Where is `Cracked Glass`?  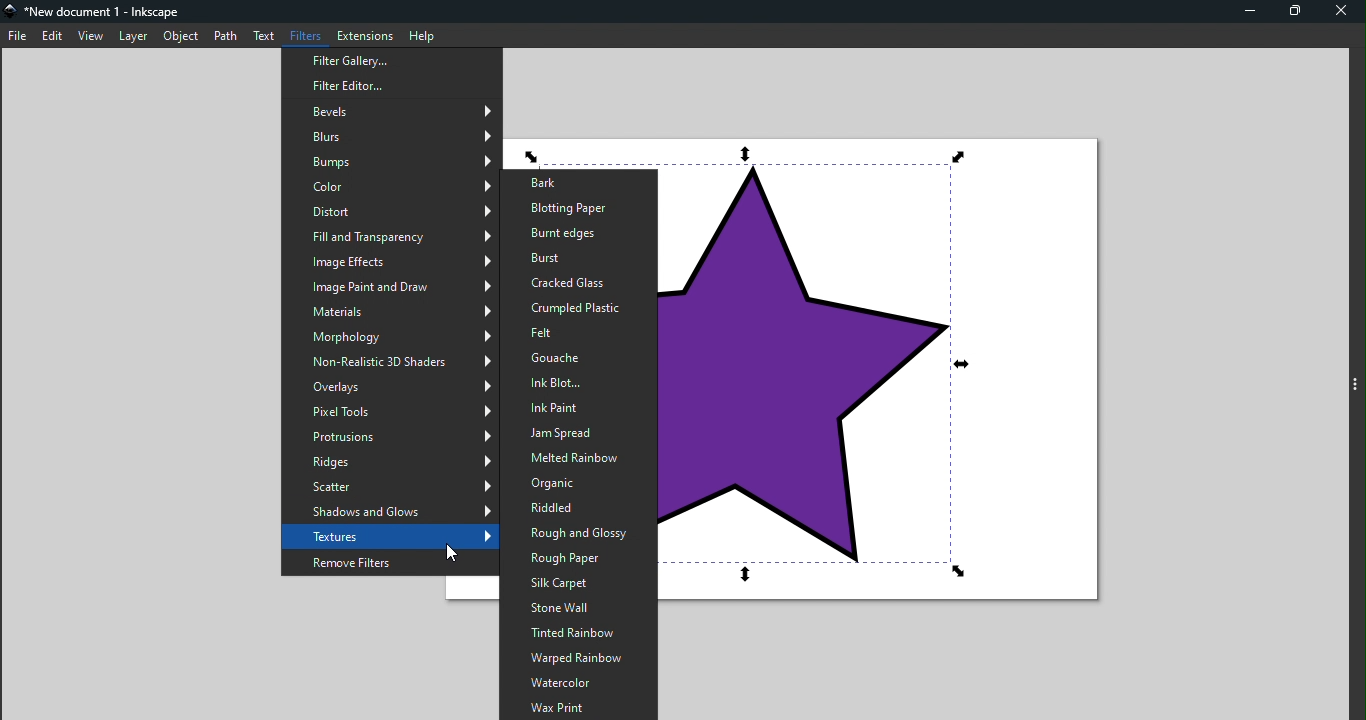 Cracked Glass is located at coordinates (579, 282).